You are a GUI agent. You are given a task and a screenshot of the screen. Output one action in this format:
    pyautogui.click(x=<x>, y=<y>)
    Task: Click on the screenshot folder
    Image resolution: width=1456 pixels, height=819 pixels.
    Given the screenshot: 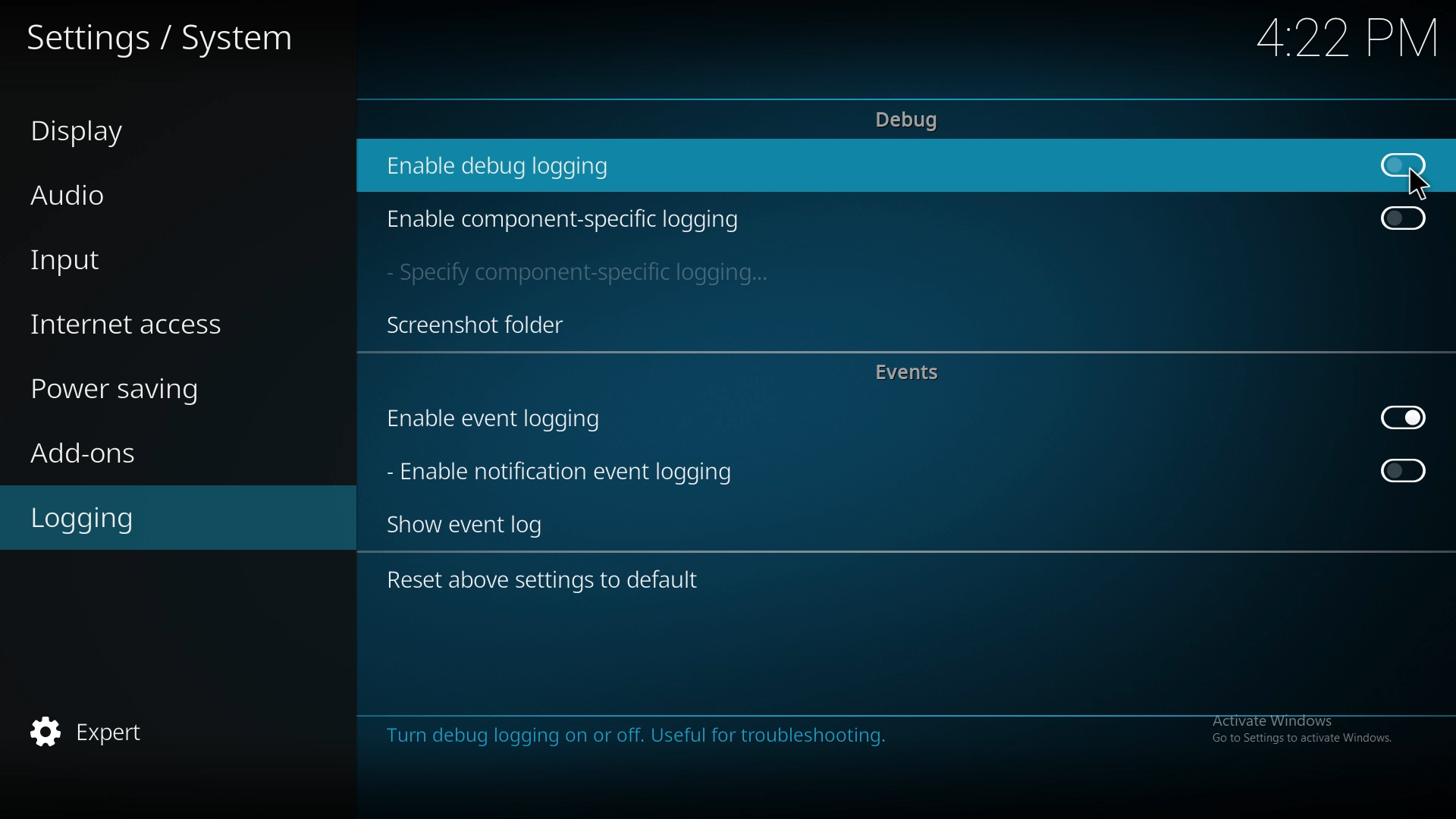 What is the action you would take?
    pyautogui.click(x=476, y=325)
    